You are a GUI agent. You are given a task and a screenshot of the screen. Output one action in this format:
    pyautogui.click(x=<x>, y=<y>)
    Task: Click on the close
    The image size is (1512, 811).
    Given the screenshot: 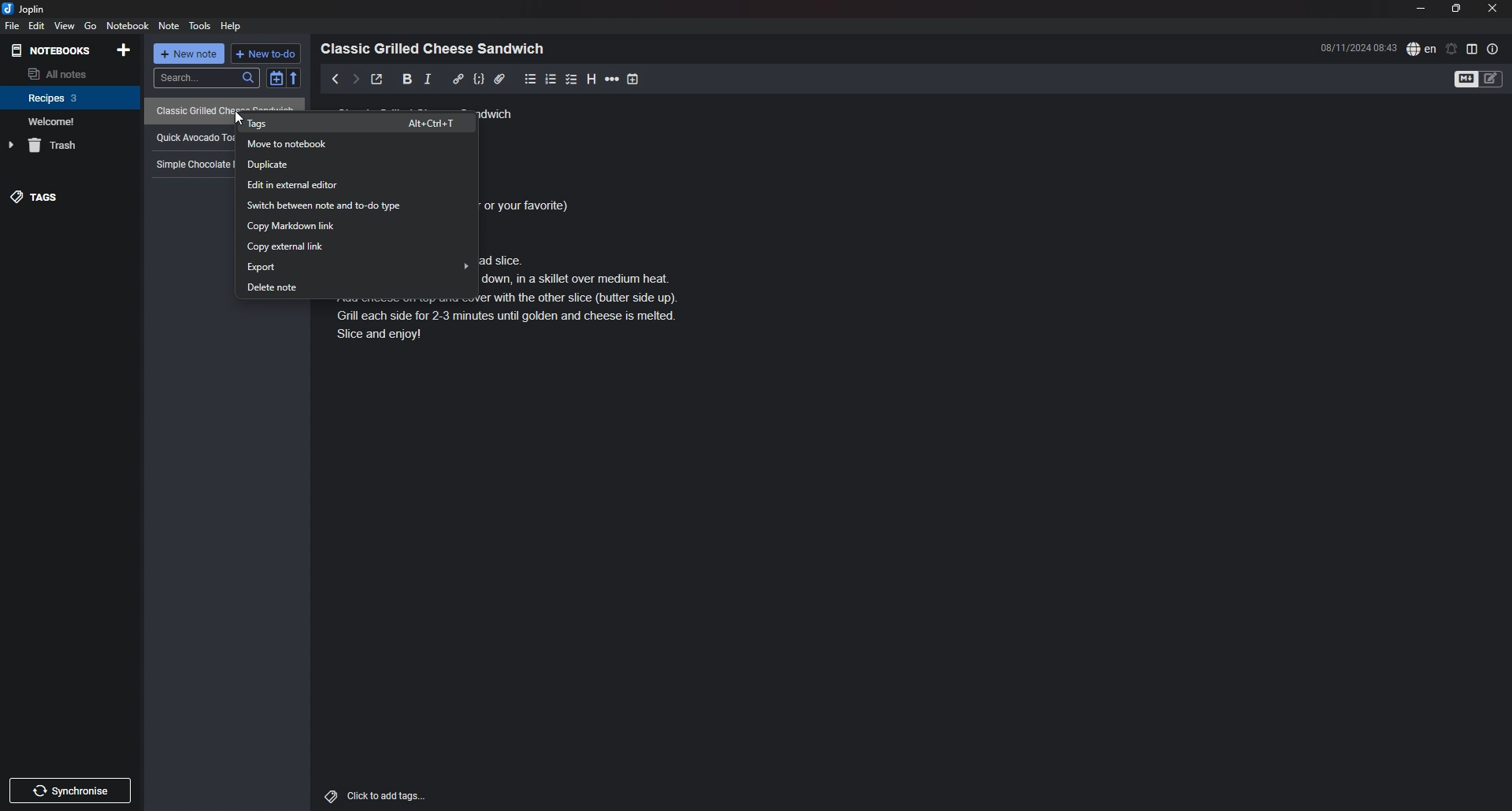 What is the action you would take?
    pyautogui.click(x=1494, y=8)
    